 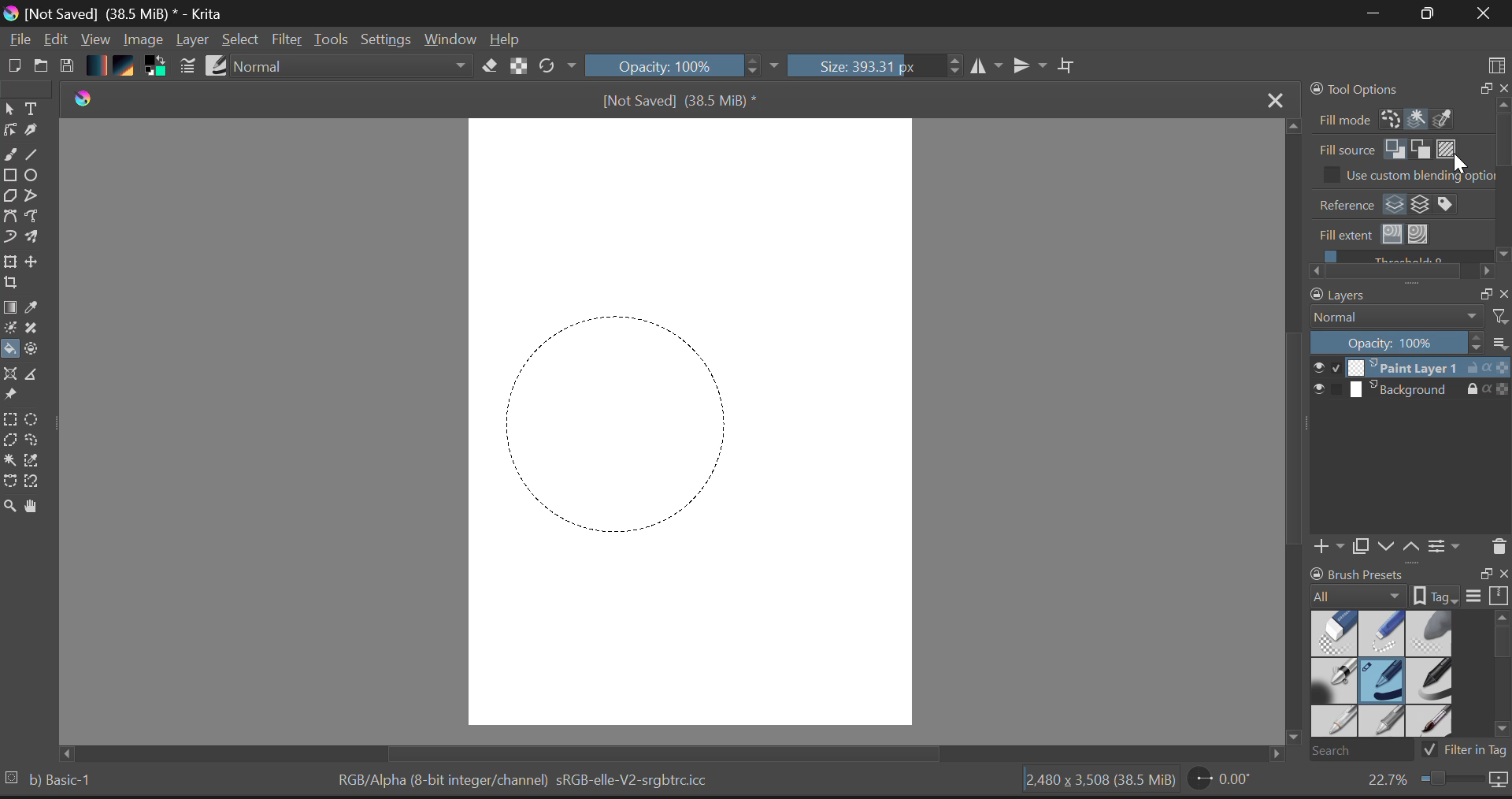 I want to click on Gradient Fill, so click(x=10, y=309).